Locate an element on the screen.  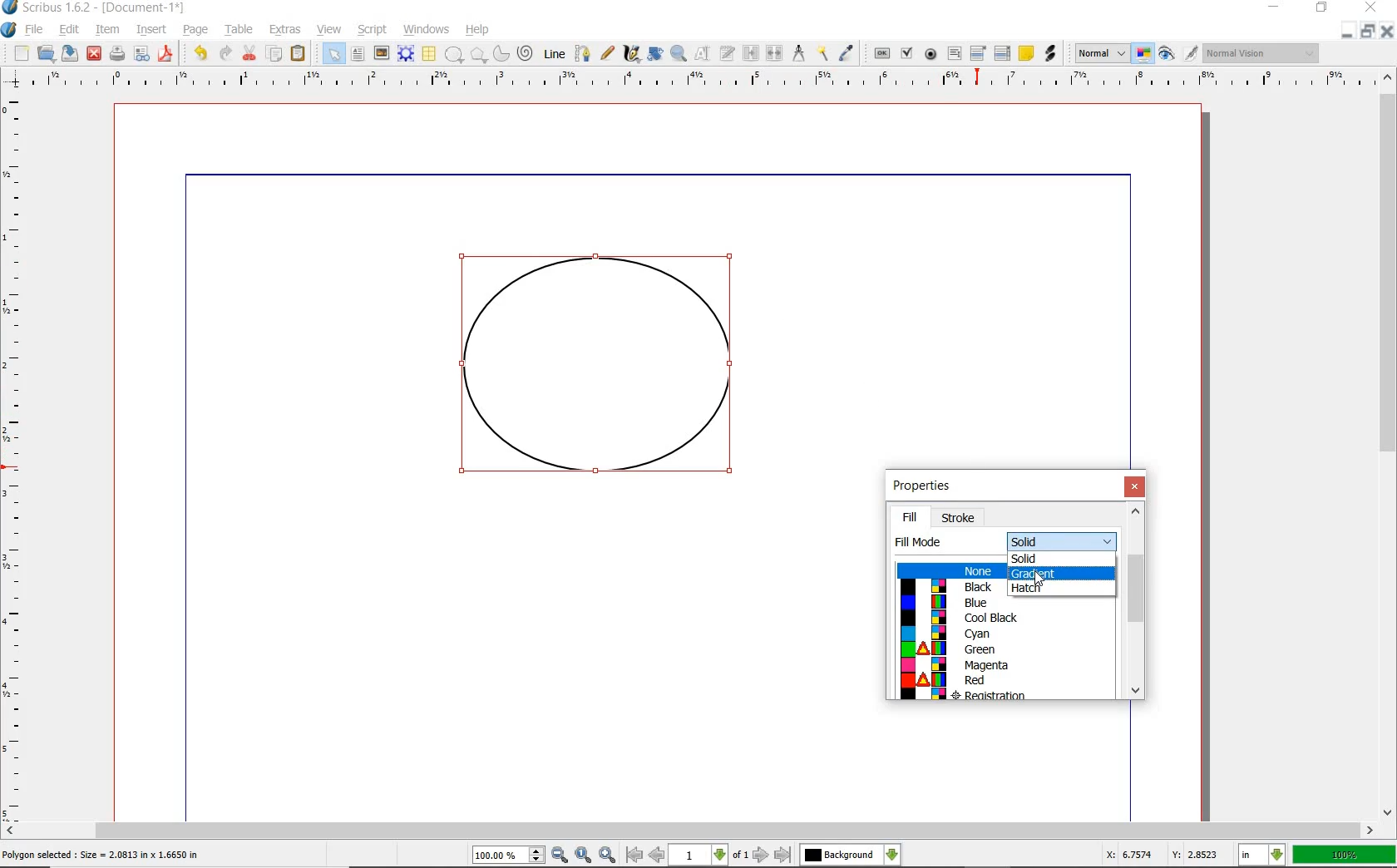
UNLINK TEXT FRAME is located at coordinates (773, 52).